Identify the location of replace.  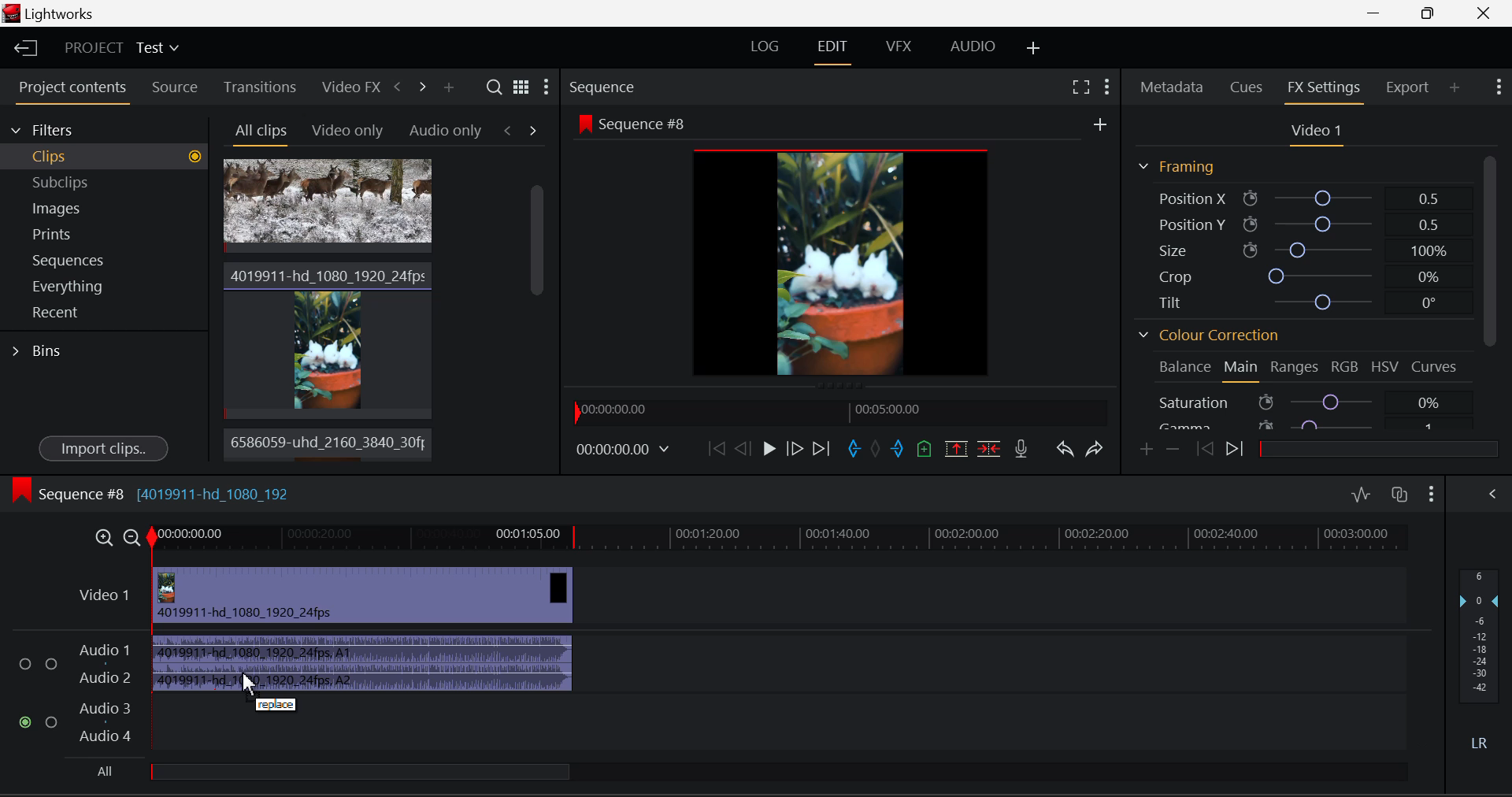
(279, 706).